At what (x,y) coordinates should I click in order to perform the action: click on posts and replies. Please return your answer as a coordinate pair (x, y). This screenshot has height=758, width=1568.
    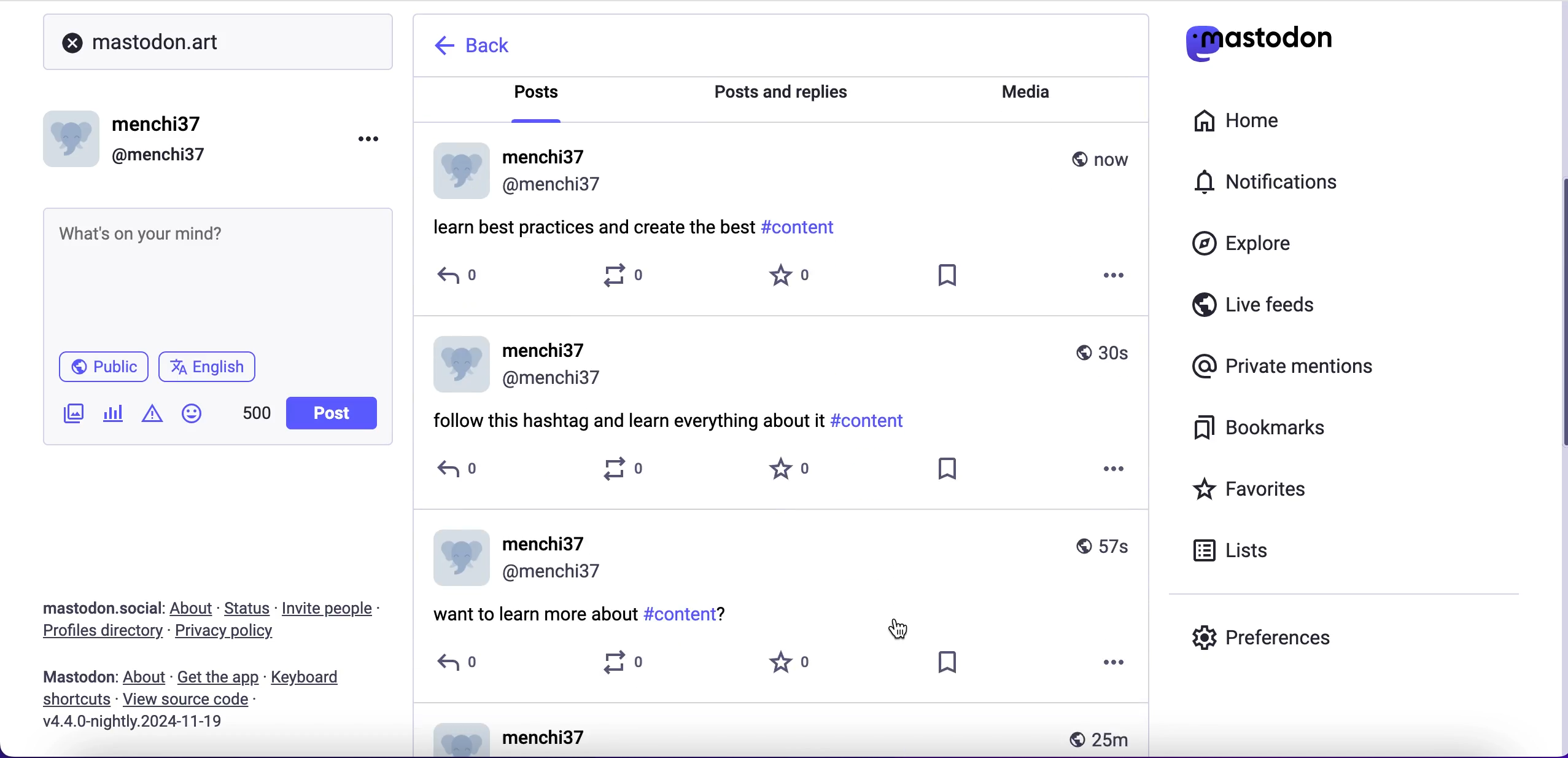
    Looking at the image, I should click on (781, 92).